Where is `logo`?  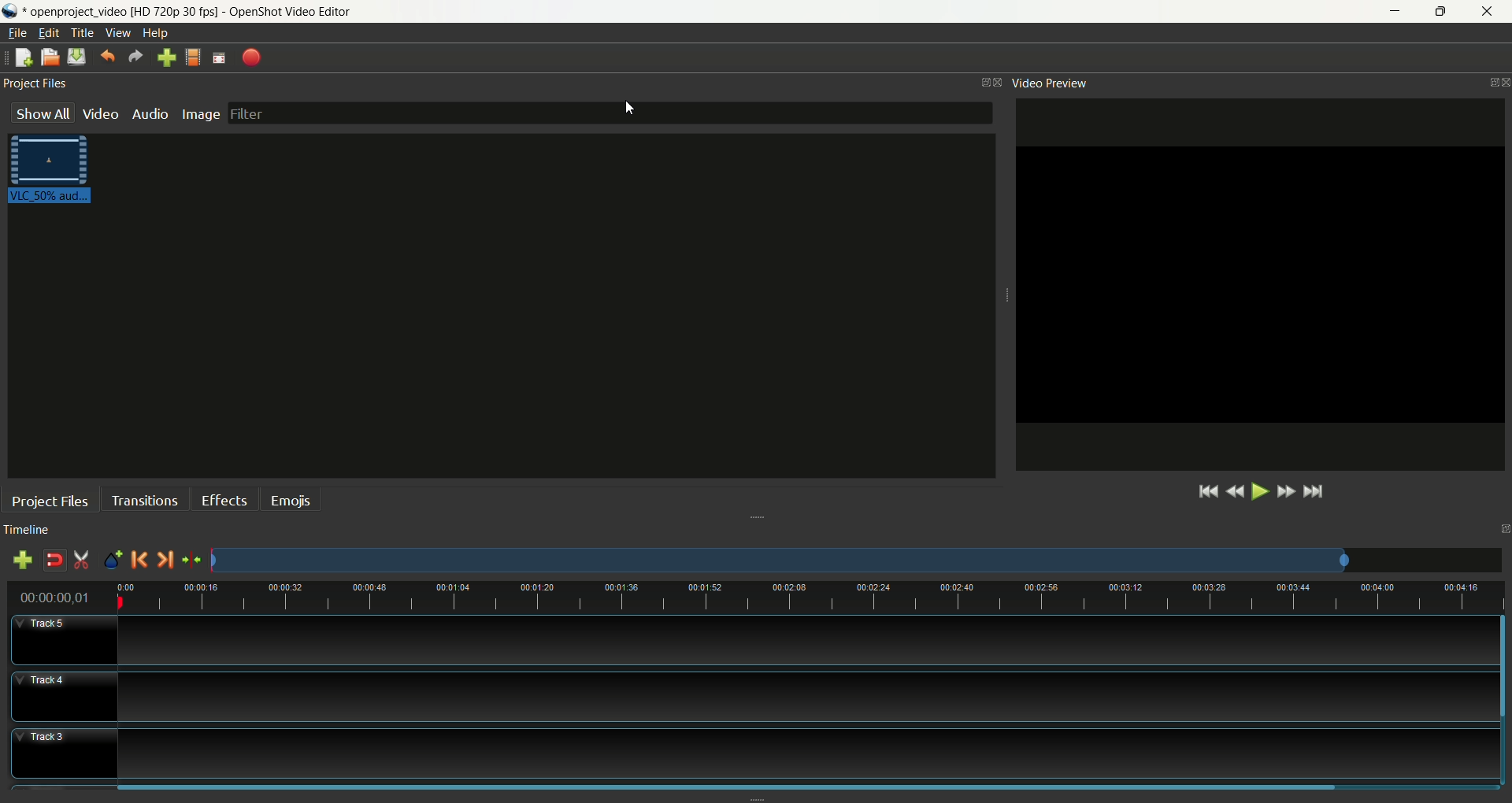 logo is located at coordinates (11, 11).